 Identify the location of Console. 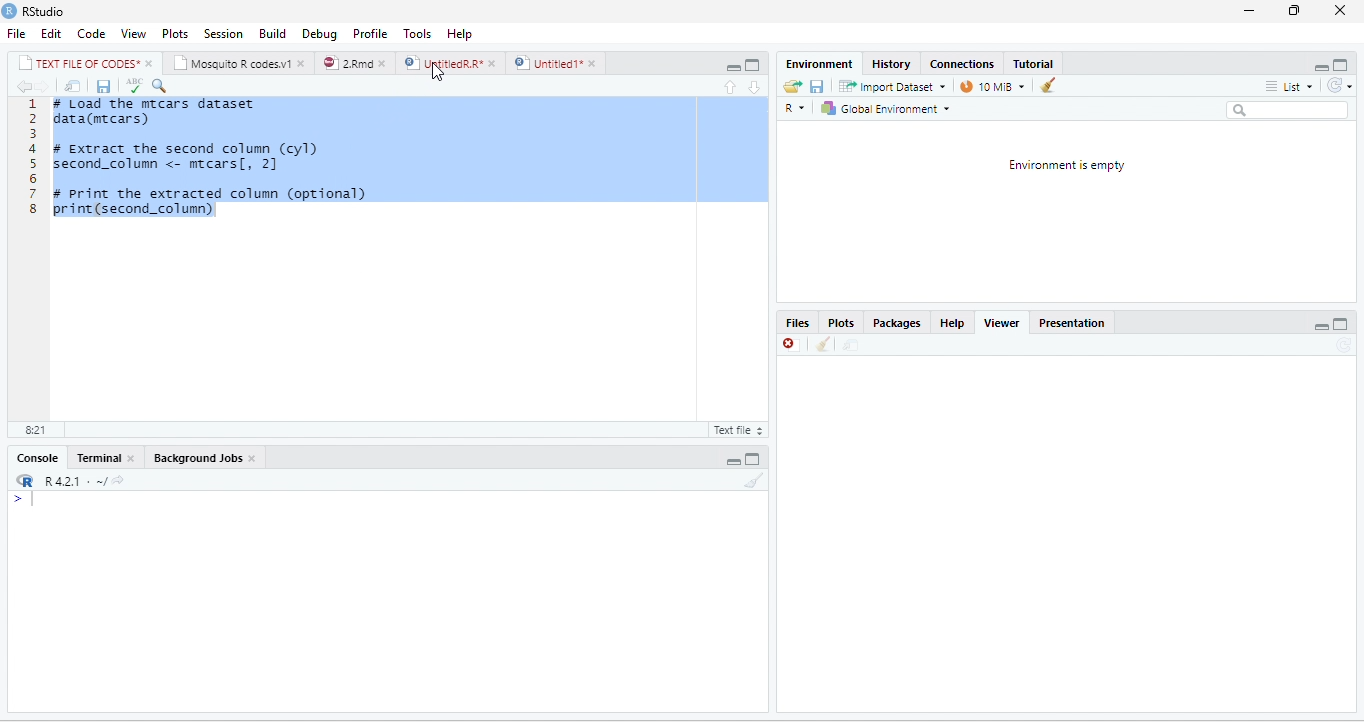
(34, 458).